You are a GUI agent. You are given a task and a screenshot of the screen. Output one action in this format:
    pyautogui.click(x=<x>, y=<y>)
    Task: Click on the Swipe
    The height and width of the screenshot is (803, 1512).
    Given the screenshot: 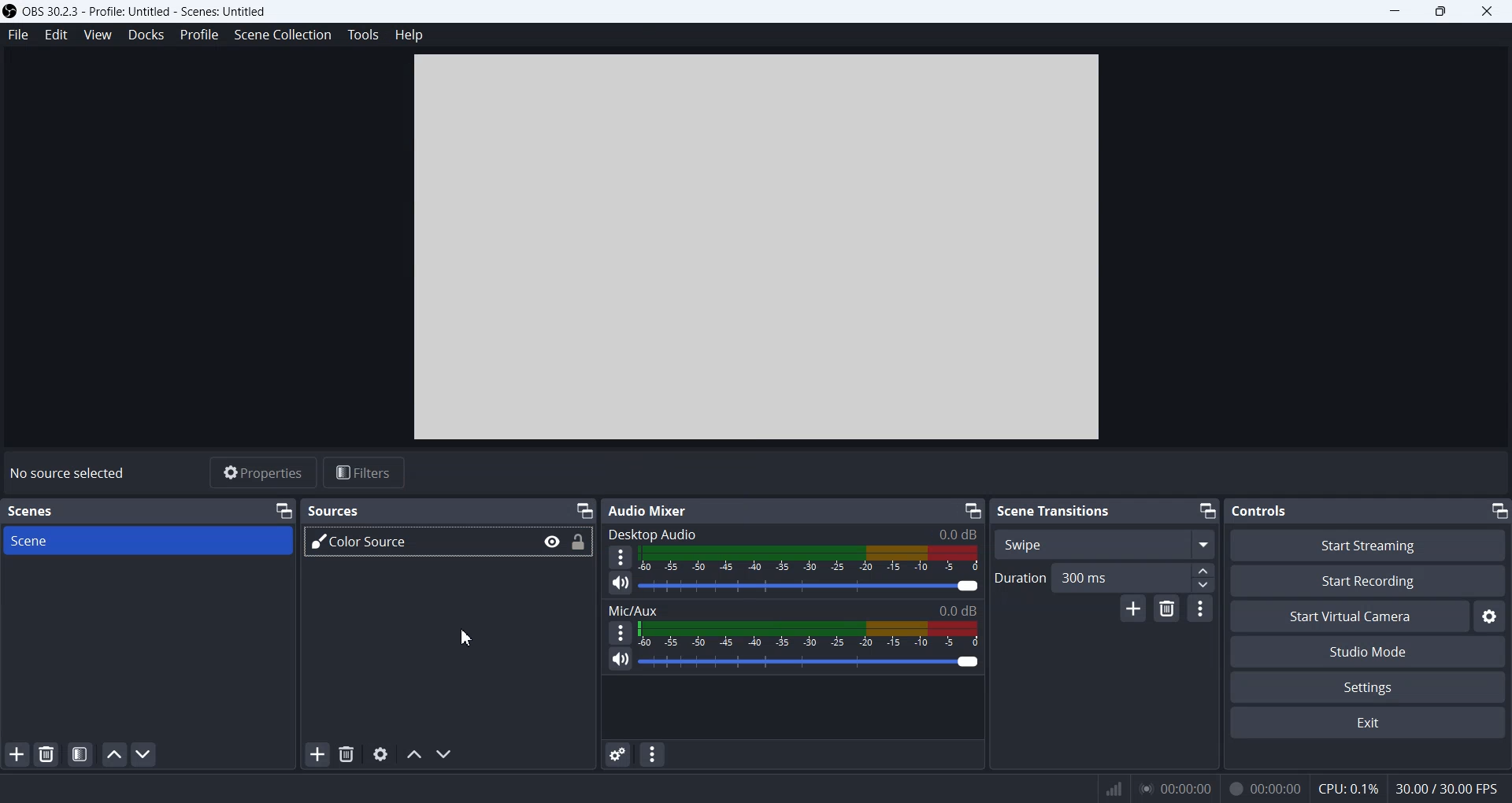 What is the action you would take?
    pyautogui.click(x=1104, y=543)
    